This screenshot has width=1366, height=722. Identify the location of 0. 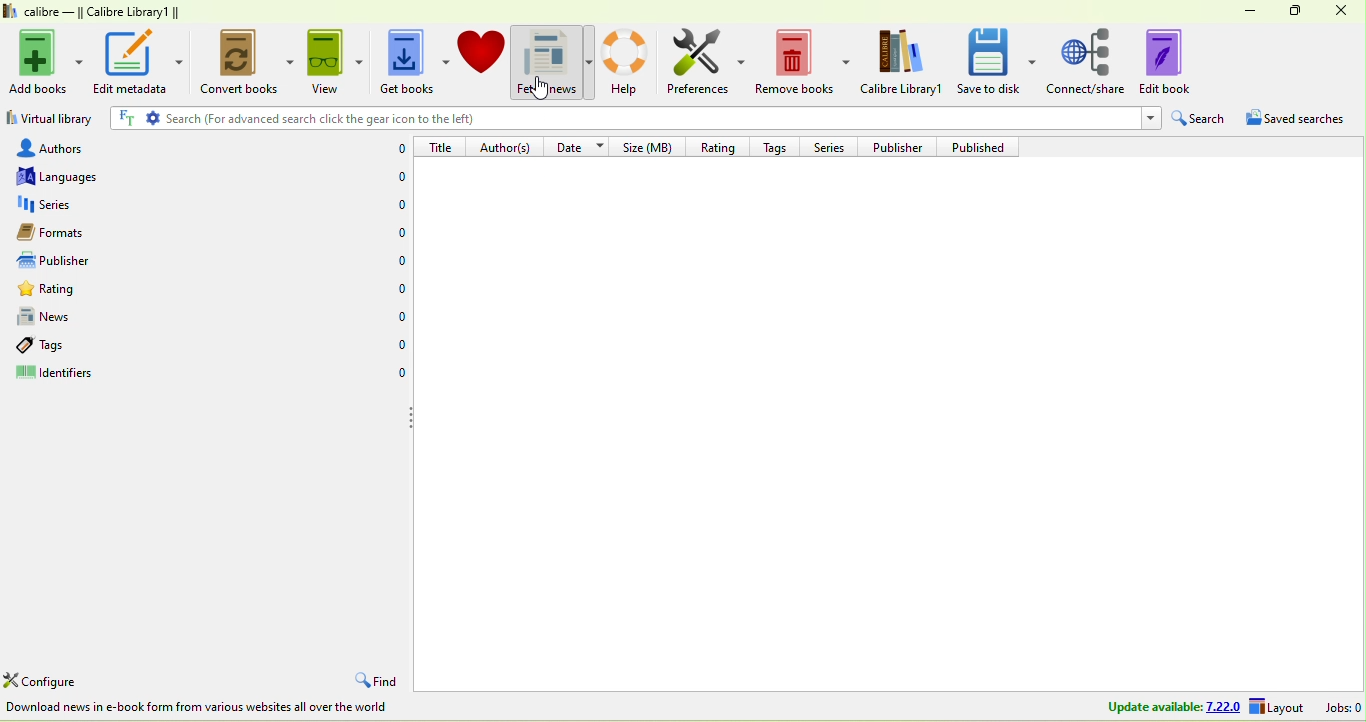
(397, 374).